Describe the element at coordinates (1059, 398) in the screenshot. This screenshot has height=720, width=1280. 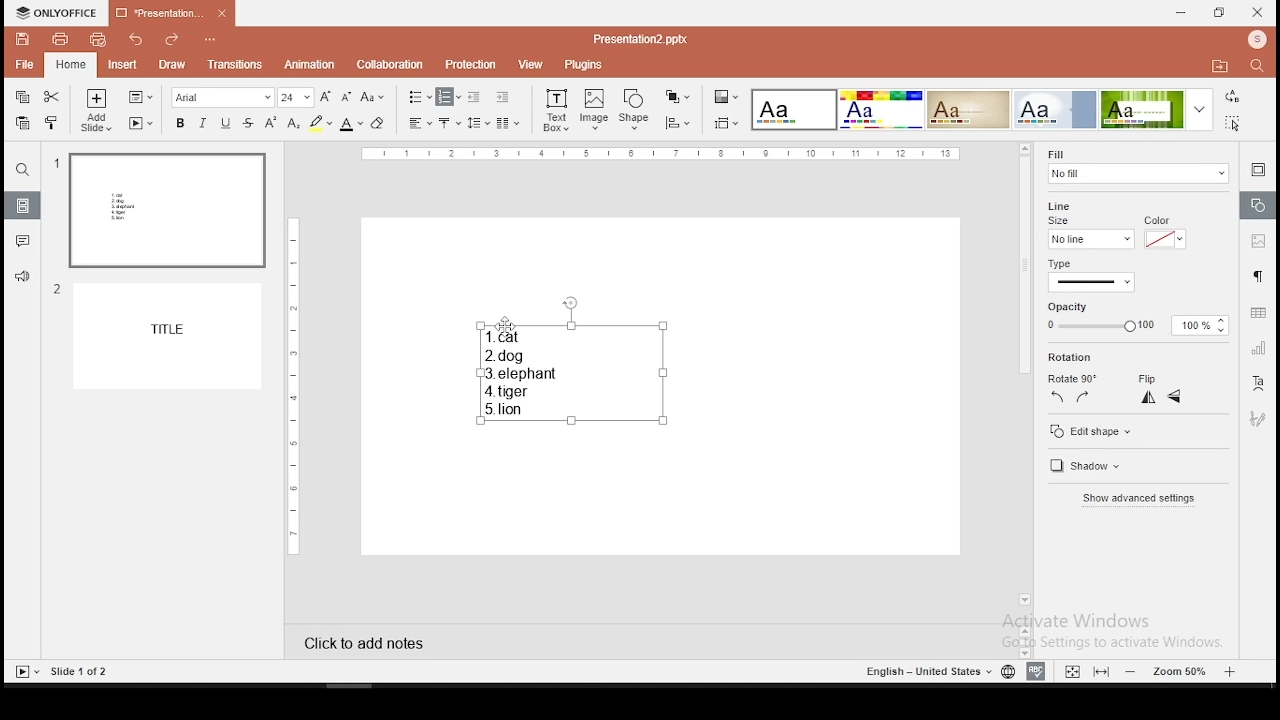
I see `rotate 90 counterclockwise` at that location.